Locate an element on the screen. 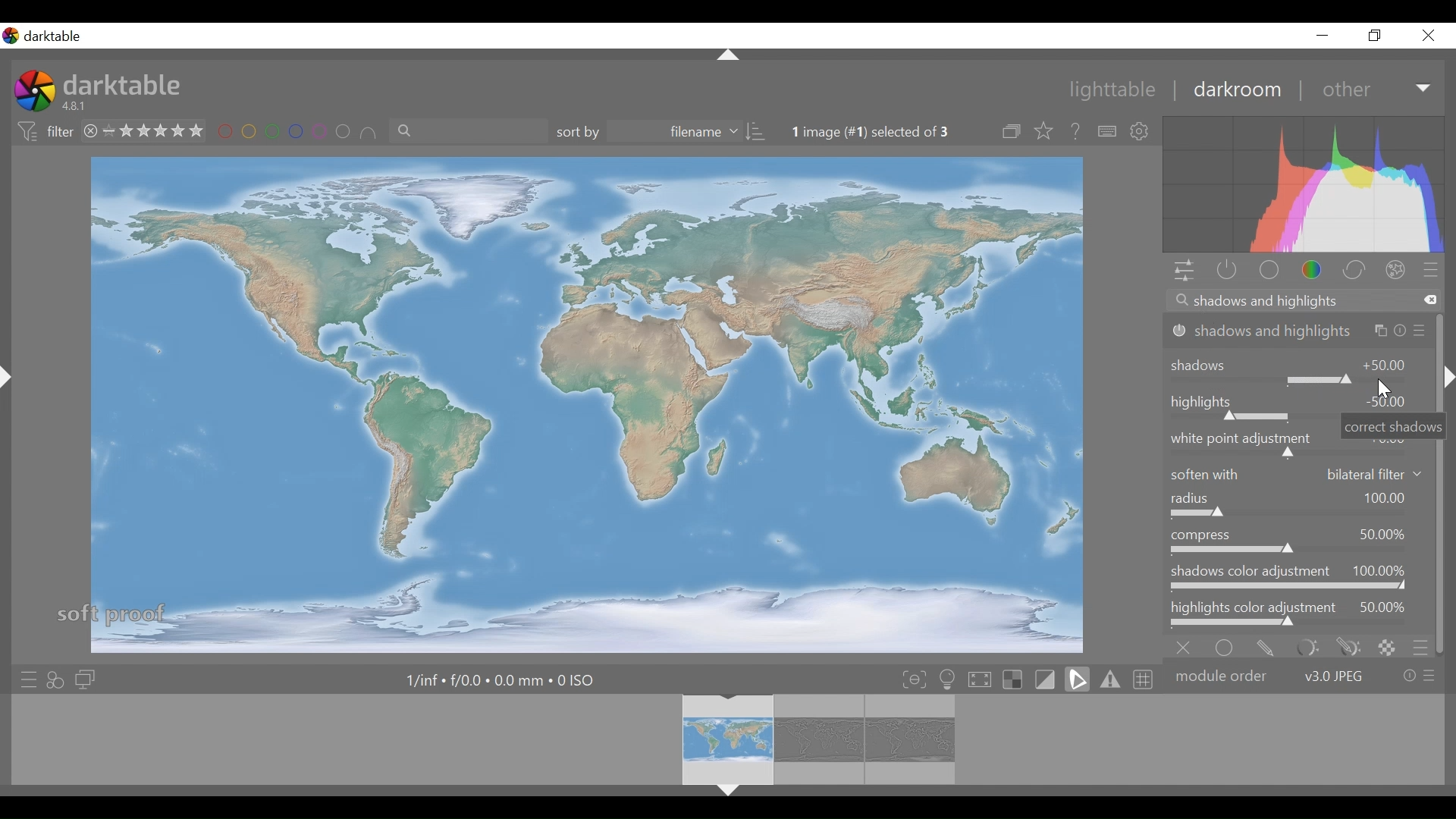 The image size is (1456, 819). toggle display indication is located at coordinates (1047, 679).